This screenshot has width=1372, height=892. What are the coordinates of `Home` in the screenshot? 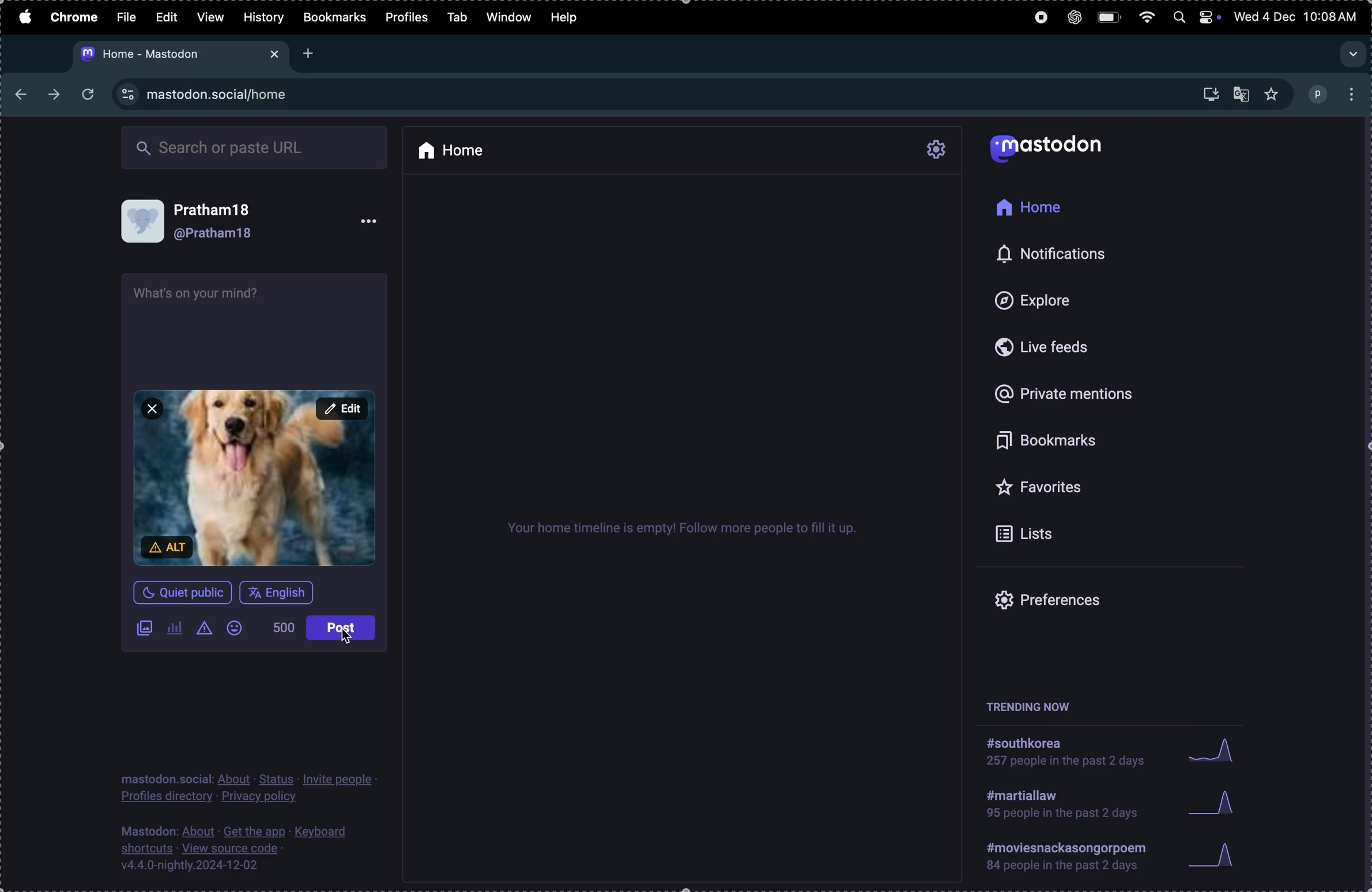 It's located at (455, 150).